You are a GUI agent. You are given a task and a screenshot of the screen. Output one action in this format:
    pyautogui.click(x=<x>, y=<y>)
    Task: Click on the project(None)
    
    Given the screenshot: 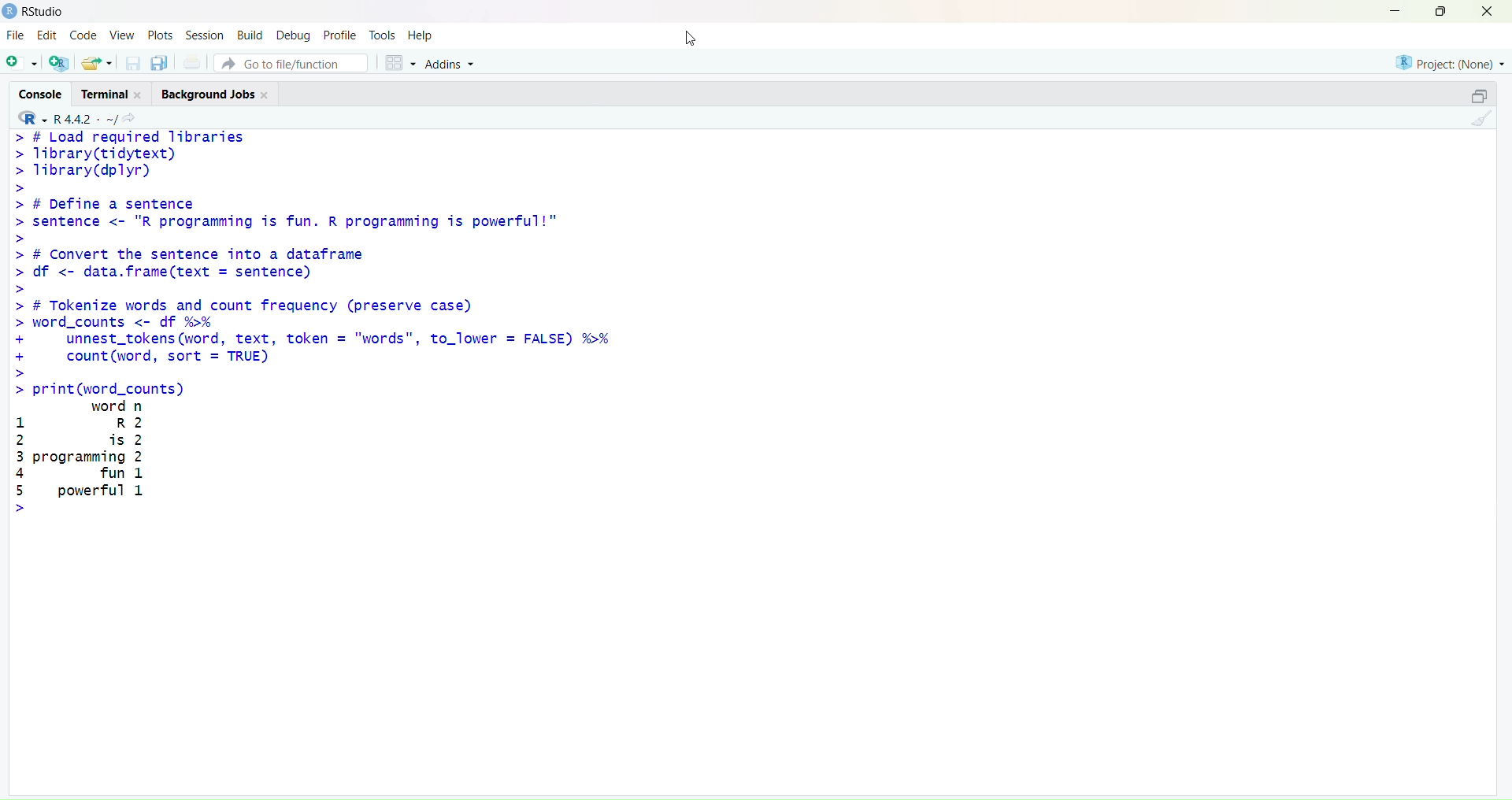 What is the action you would take?
    pyautogui.click(x=1447, y=62)
    